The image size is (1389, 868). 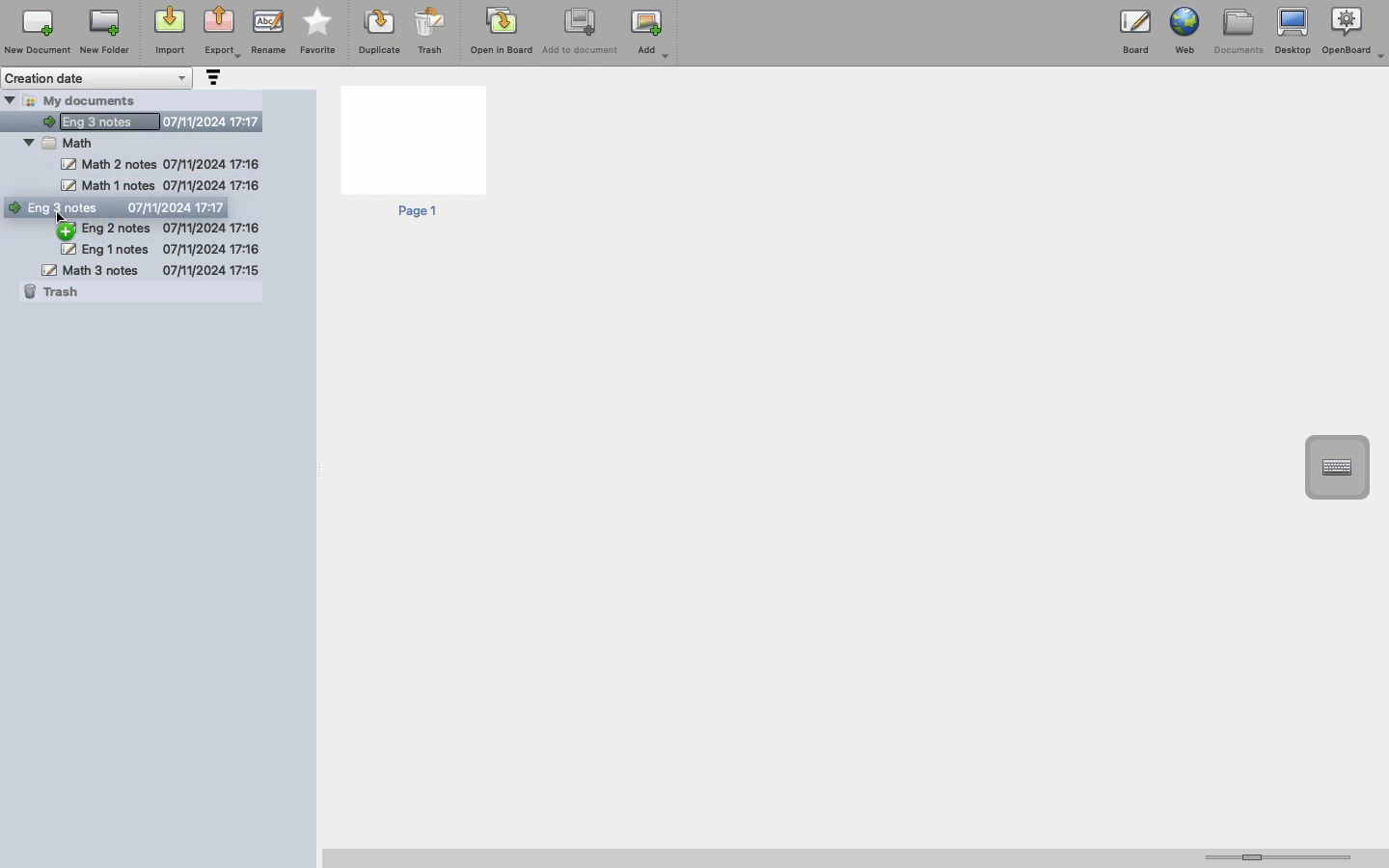 What do you see at coordinates (211, 79) in the screenshot?
I see `Sort` at bounding box center [211, 79].